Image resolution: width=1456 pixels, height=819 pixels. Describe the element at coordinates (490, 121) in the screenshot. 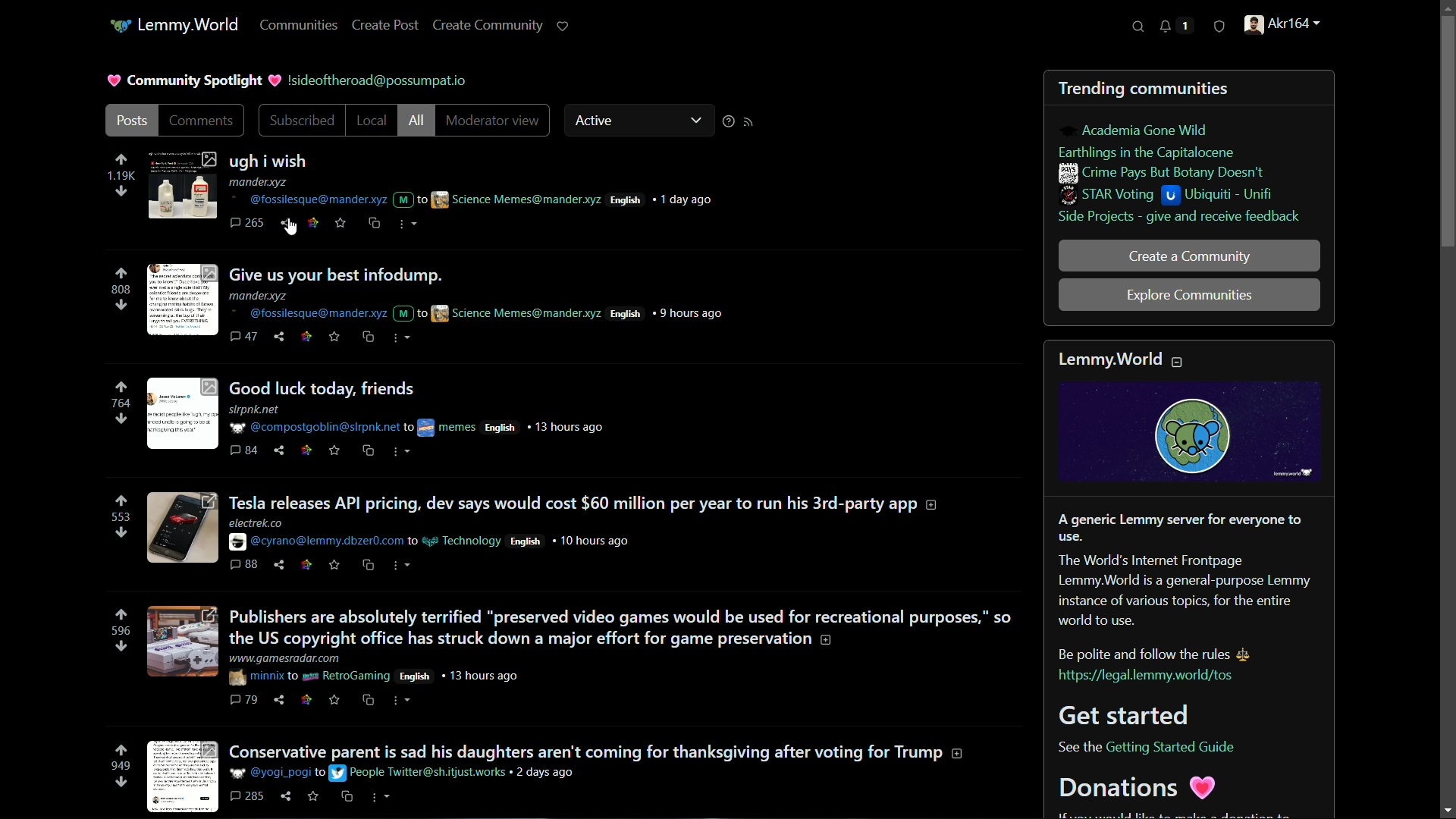

I see `moderator view` at that location.